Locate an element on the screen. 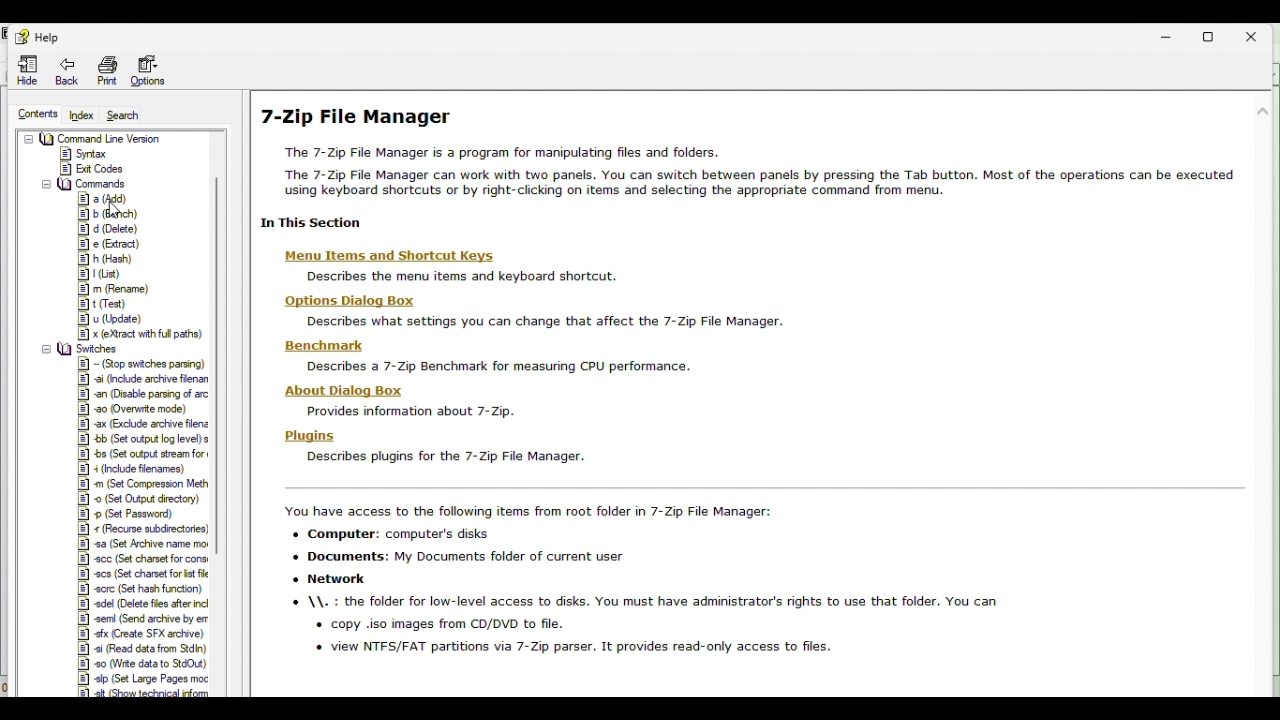  -scs is located at coordinates (143, 574).